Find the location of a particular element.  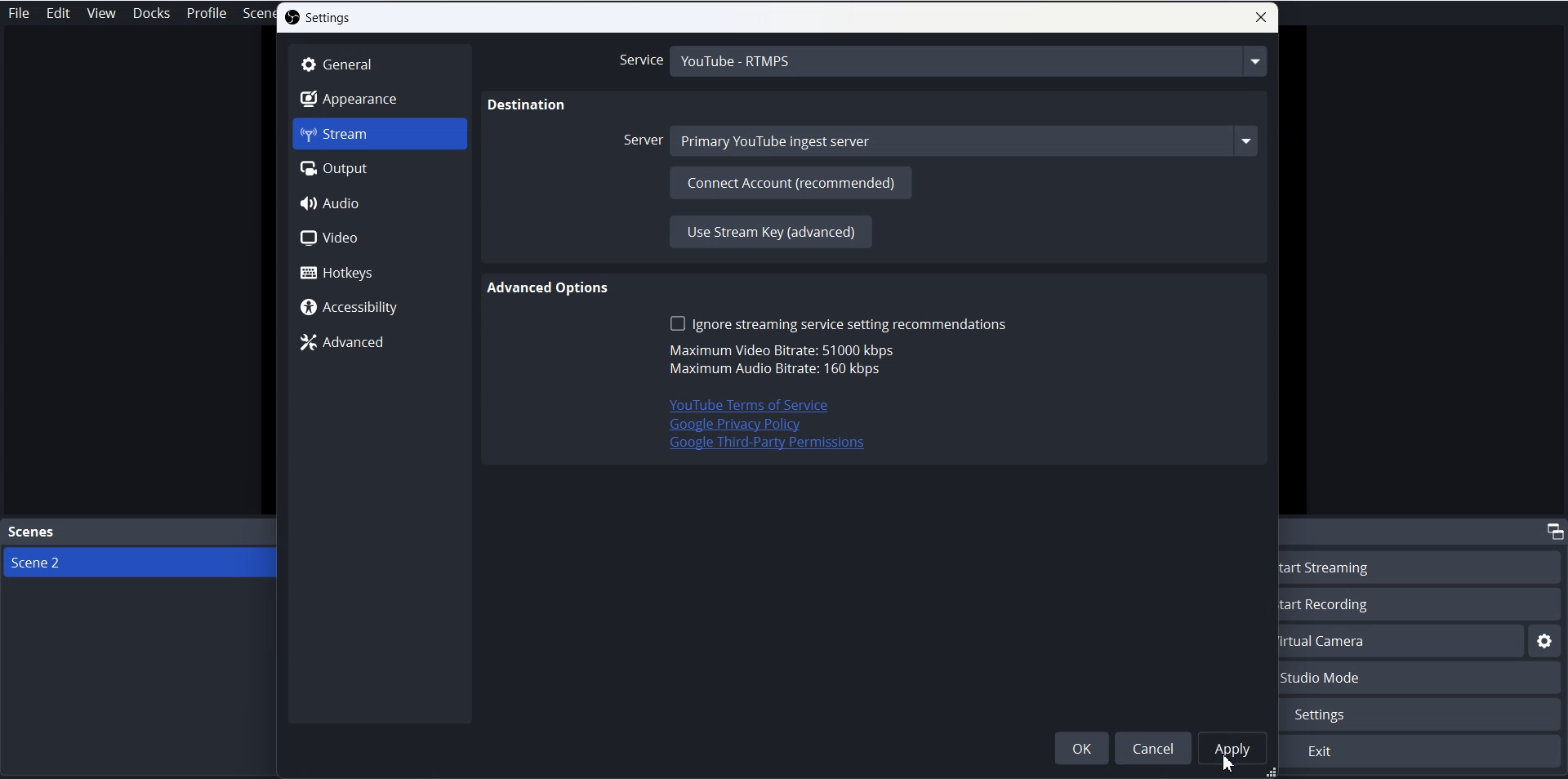

Start Virtual Camera is located at coordinates (1402, 641).